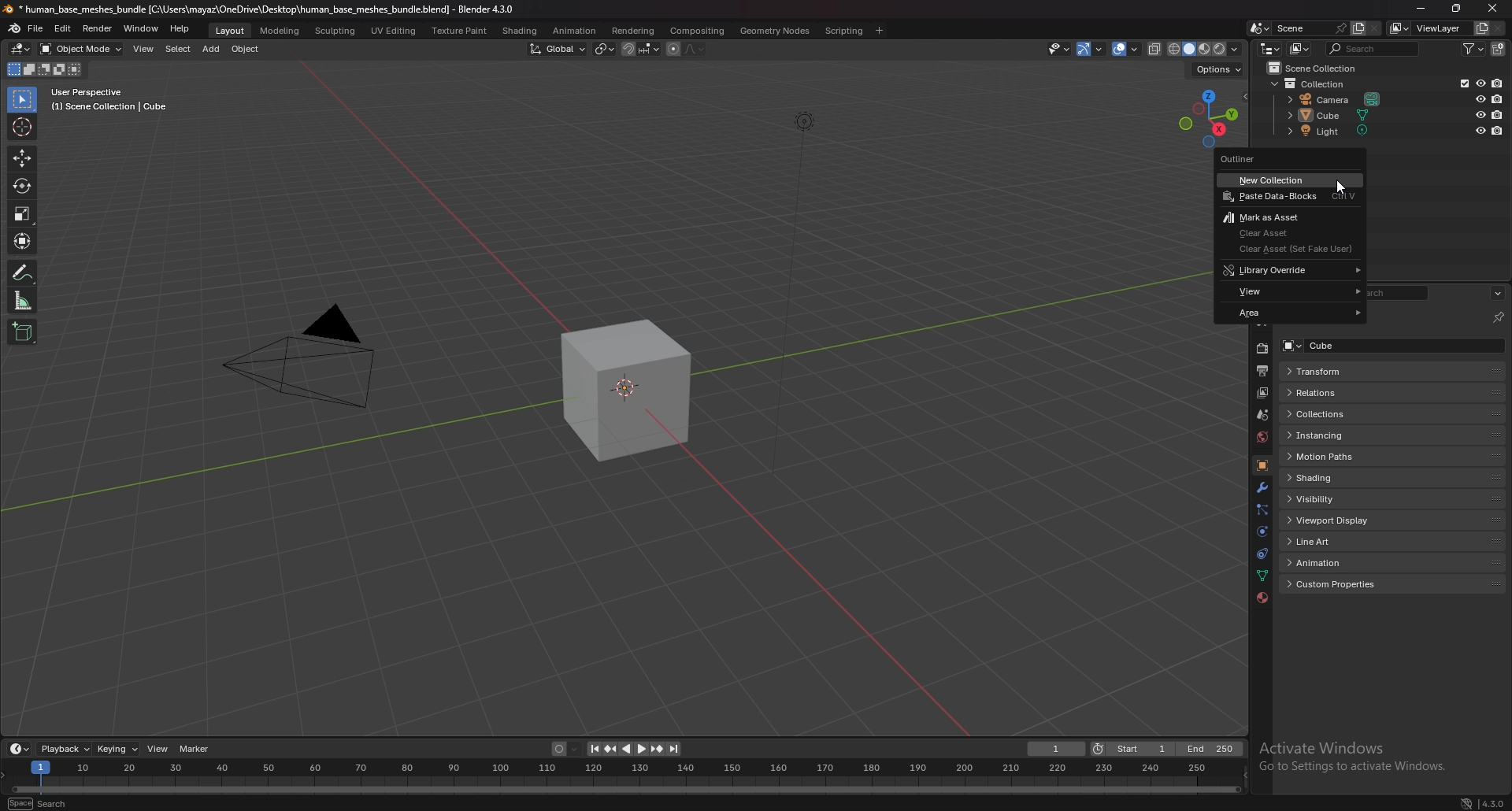 This screenshot has height=811, width=1512. I want to click on blender, so click(16, 28).